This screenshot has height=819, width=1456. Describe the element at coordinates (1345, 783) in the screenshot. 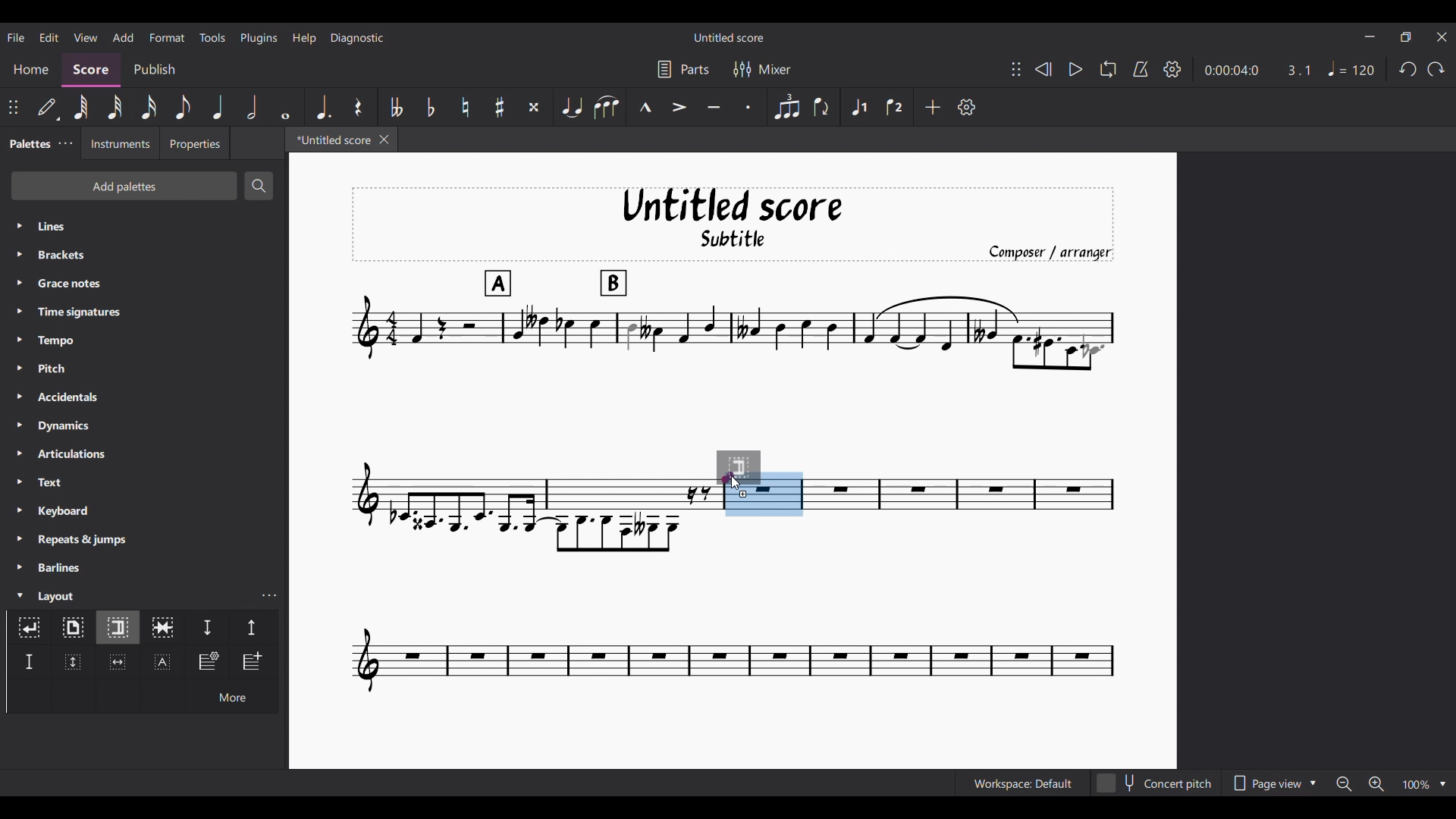

I see `Zoom out` at that location.